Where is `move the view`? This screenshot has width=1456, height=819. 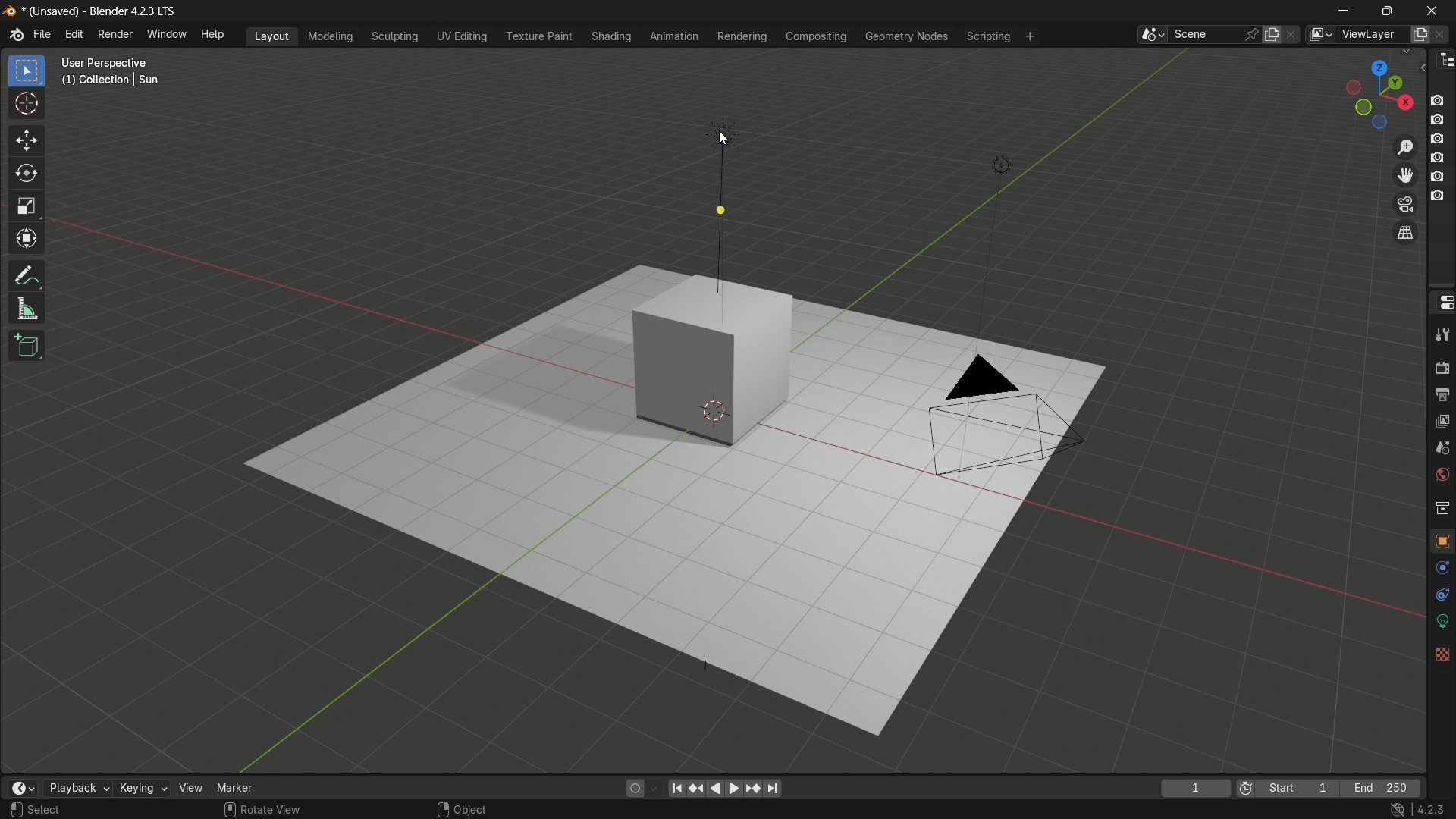
move the view is located at coordinates (1405, 174).